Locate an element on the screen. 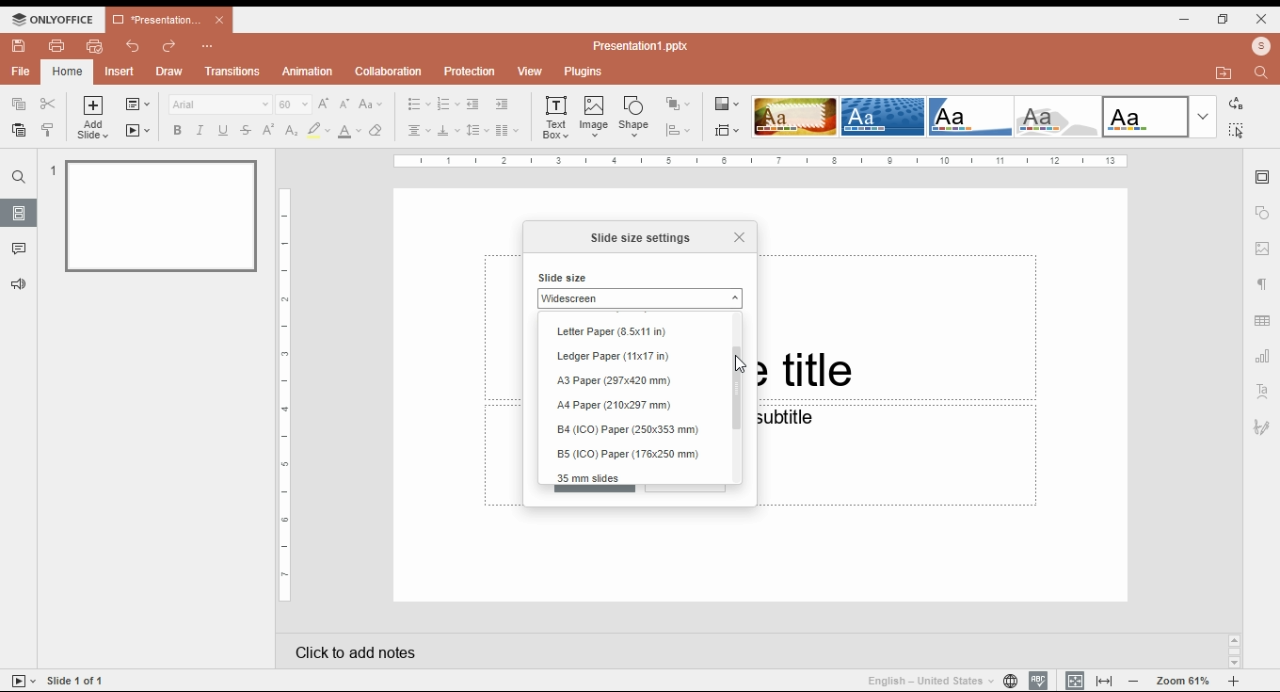 Image resolution: width=1280 pixels, height=692 pixels. cut is located at coordinates (49, 103).